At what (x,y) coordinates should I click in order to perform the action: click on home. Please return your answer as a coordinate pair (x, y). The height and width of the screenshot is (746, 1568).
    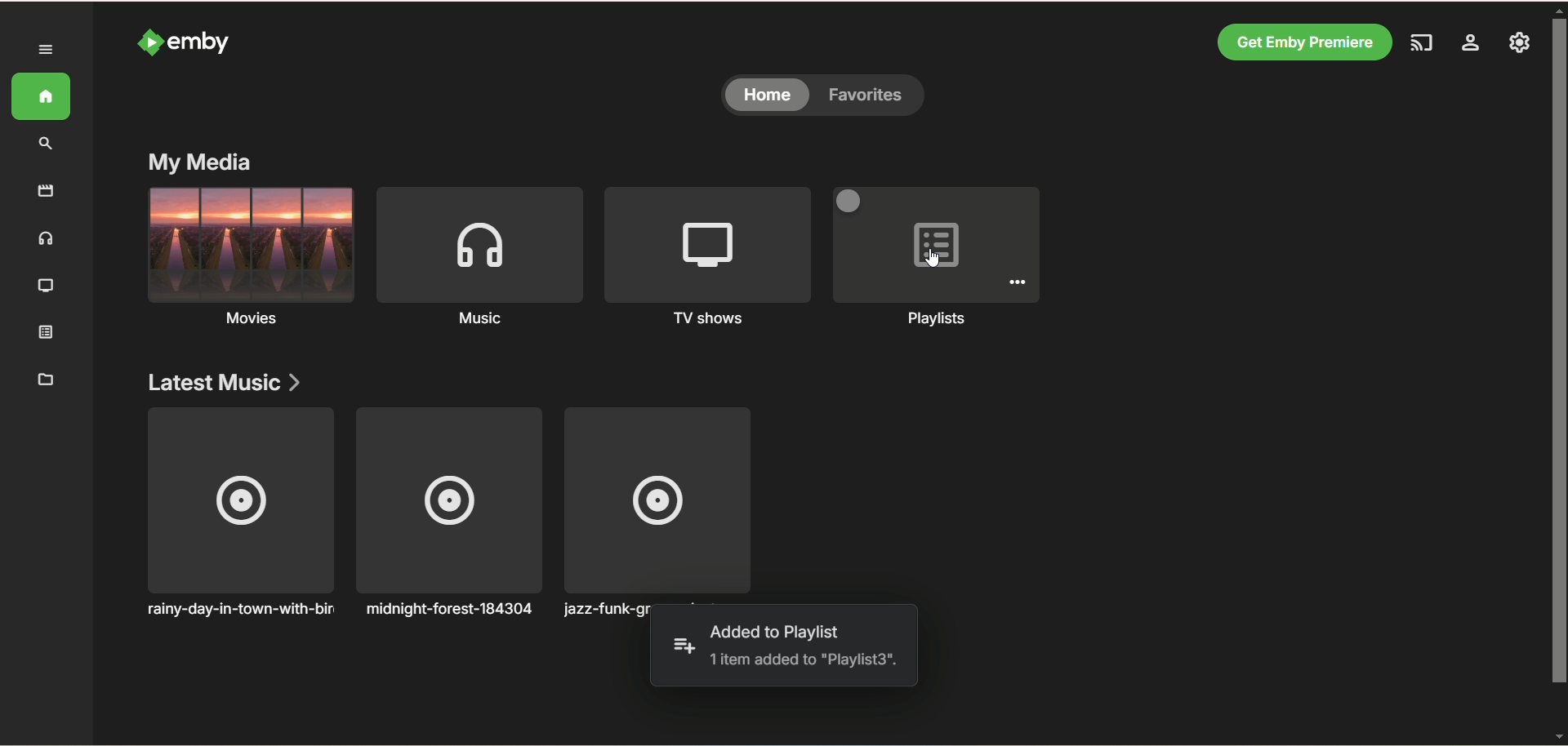
    Looking at the image, I should click on (42, 97).